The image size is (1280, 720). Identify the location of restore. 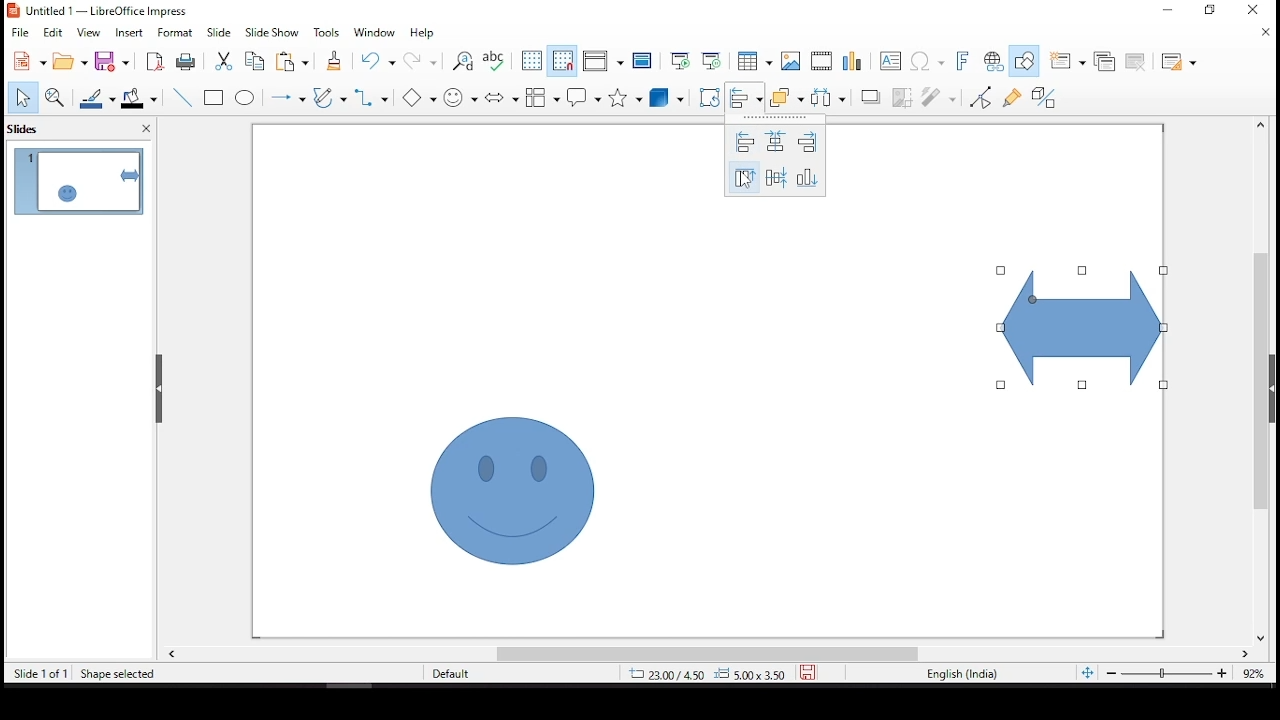
(1215, 14).